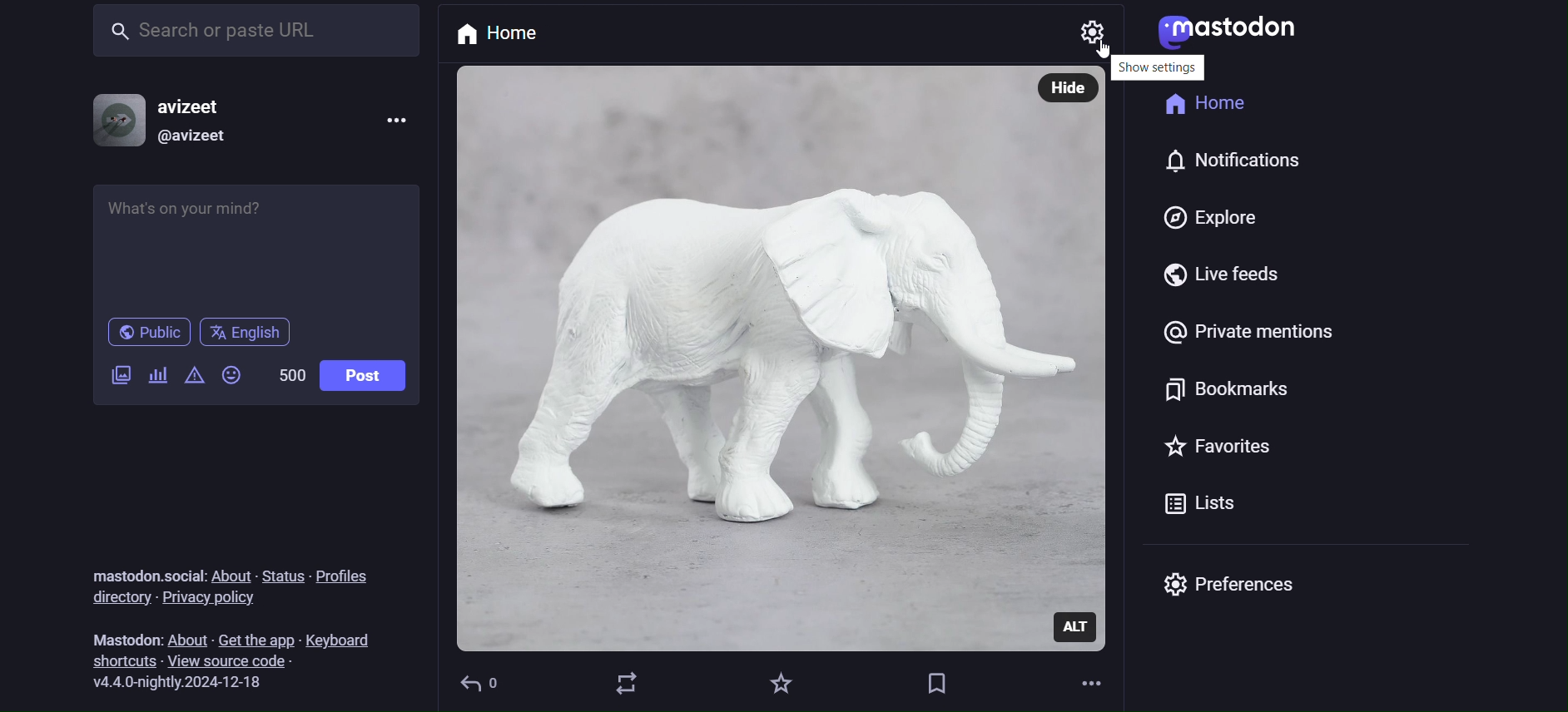 Image resolution: width=1568 pixels, height=712 pixels. Describe the element at coordinates (1157, 67) in the screenshot. I see `Show setting` at that location.